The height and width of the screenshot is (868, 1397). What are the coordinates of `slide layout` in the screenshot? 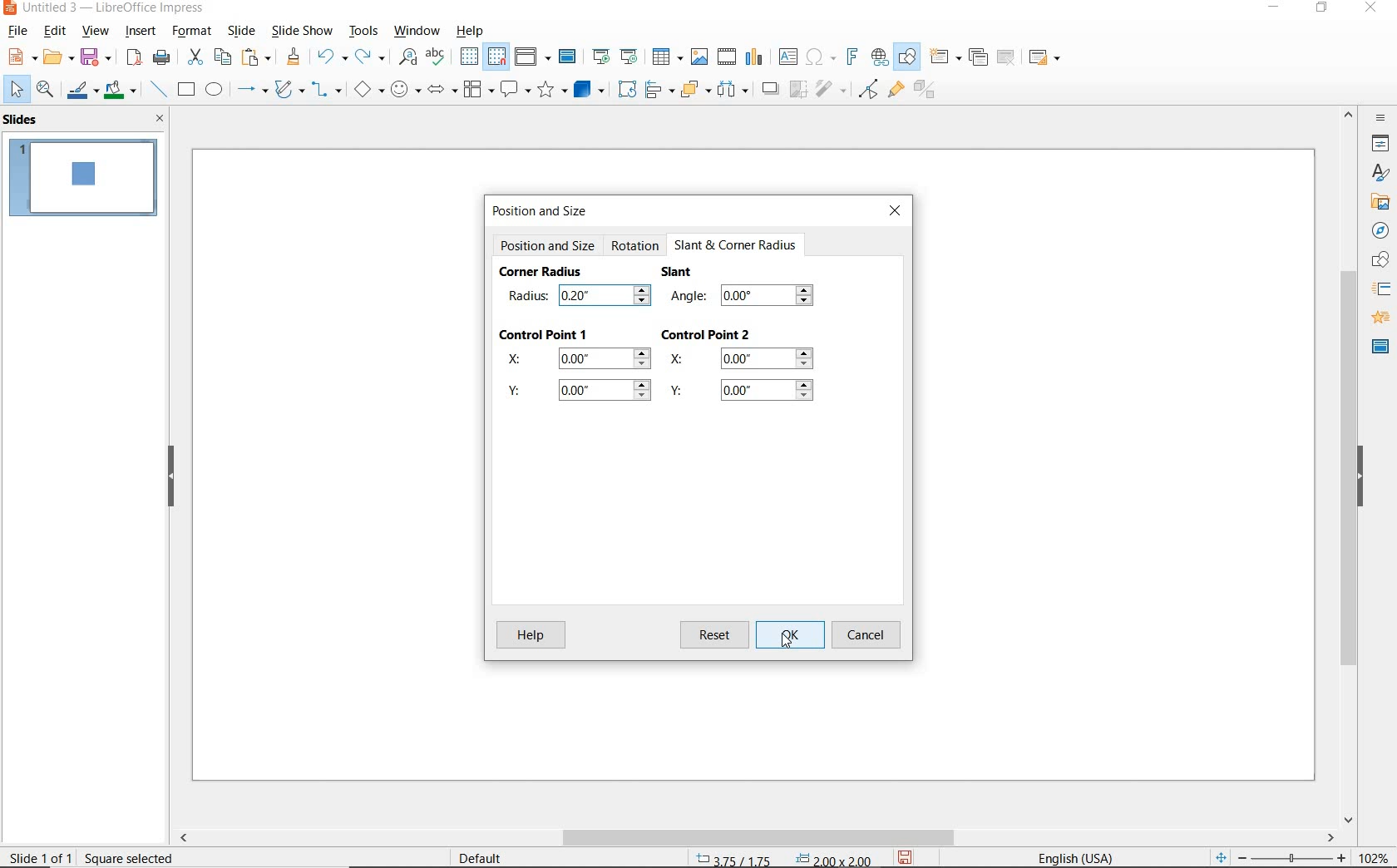 It's located at (1044, 57).